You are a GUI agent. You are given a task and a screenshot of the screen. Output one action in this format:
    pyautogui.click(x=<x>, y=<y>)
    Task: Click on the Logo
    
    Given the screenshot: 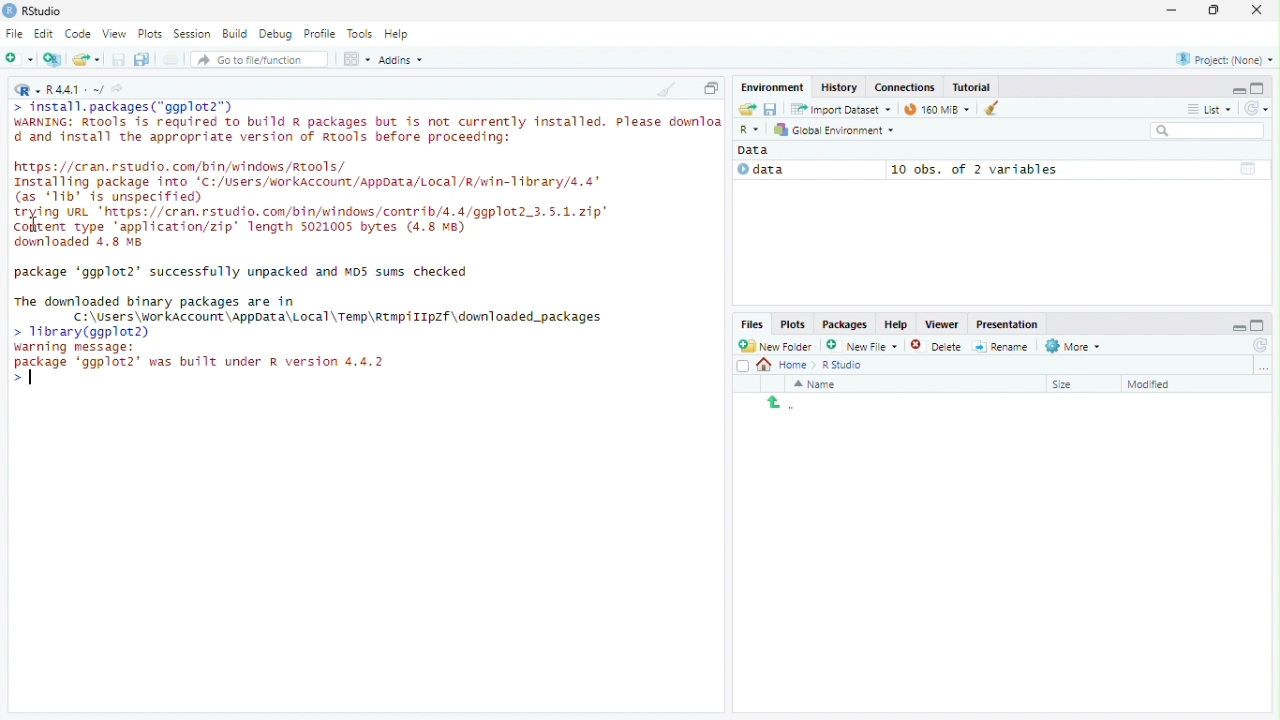 What is the action you would take?
    pyautogui.click(x=9, y=11)
    